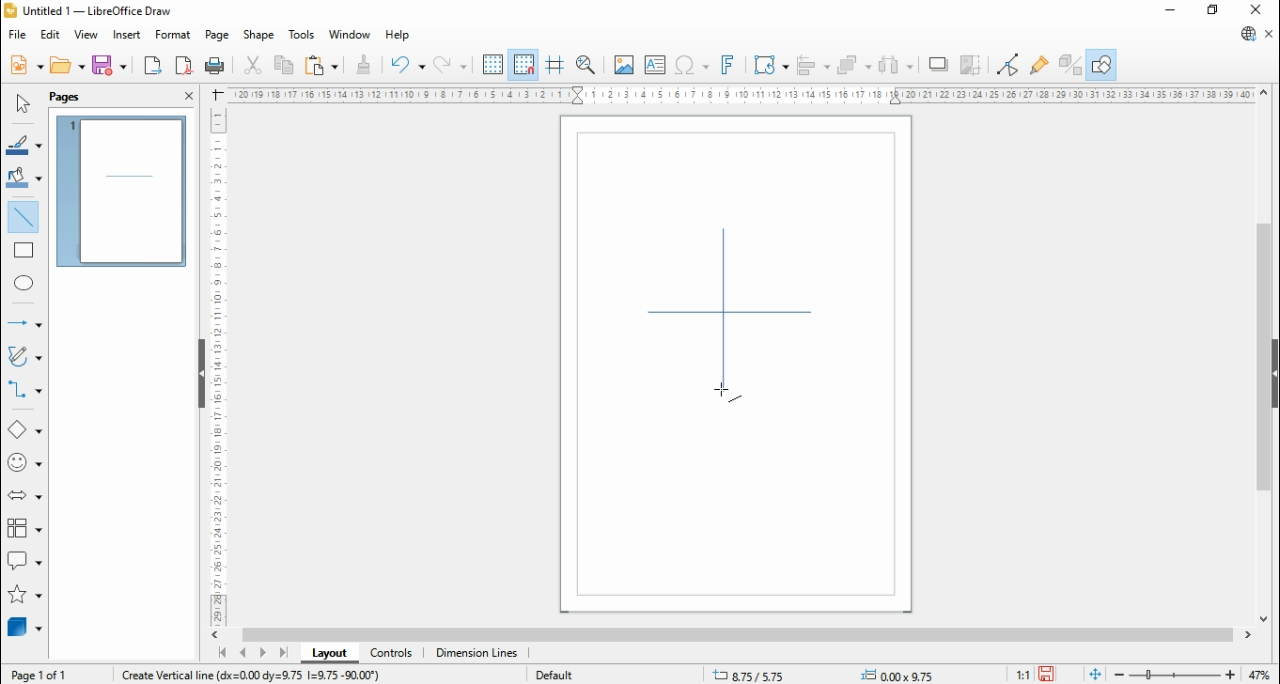  Describe the element at coordinates (174, 35) in the screenshot. I see `format` at that location.